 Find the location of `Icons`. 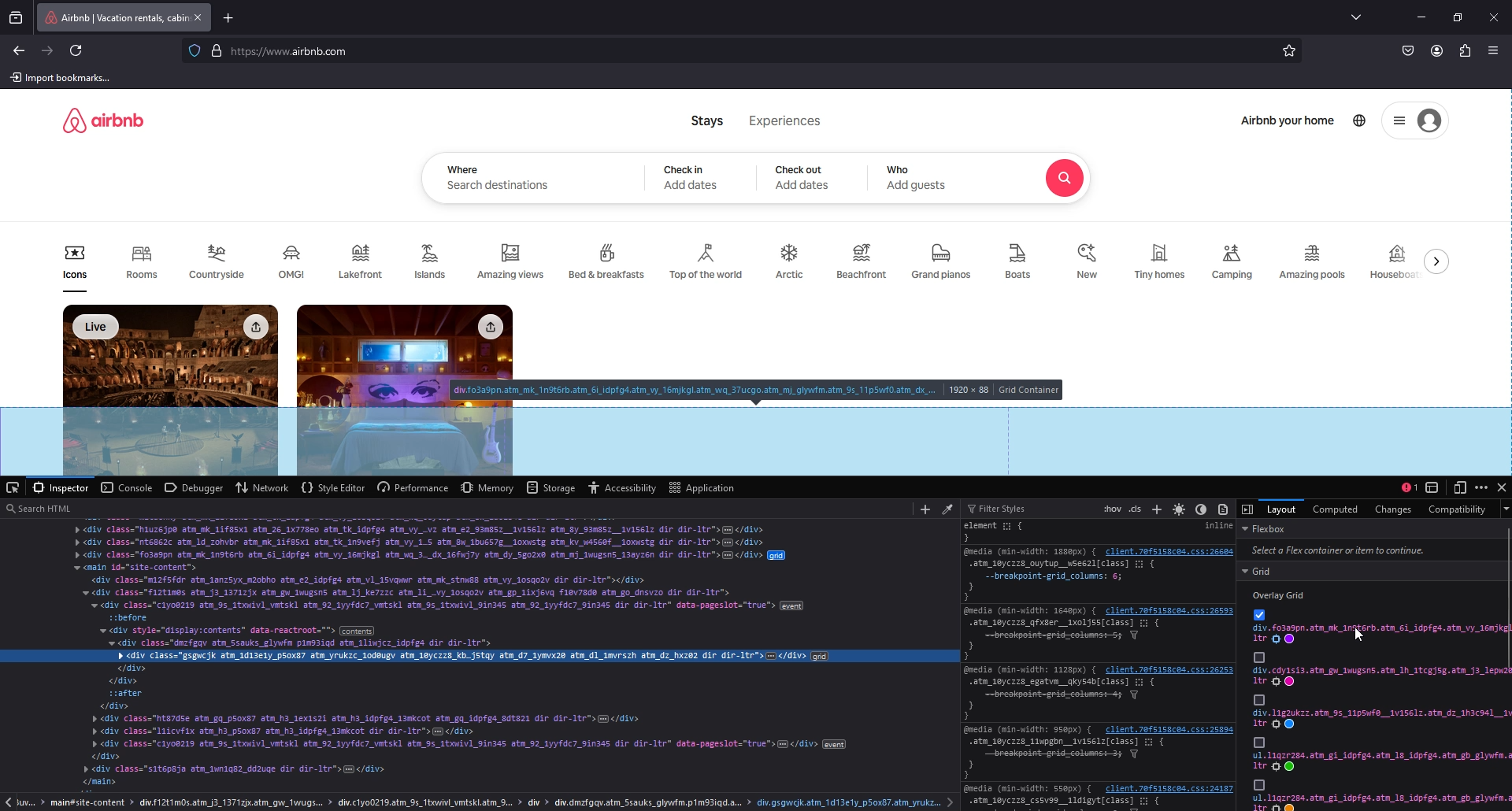

Icons is located at coordinates (75, 268).